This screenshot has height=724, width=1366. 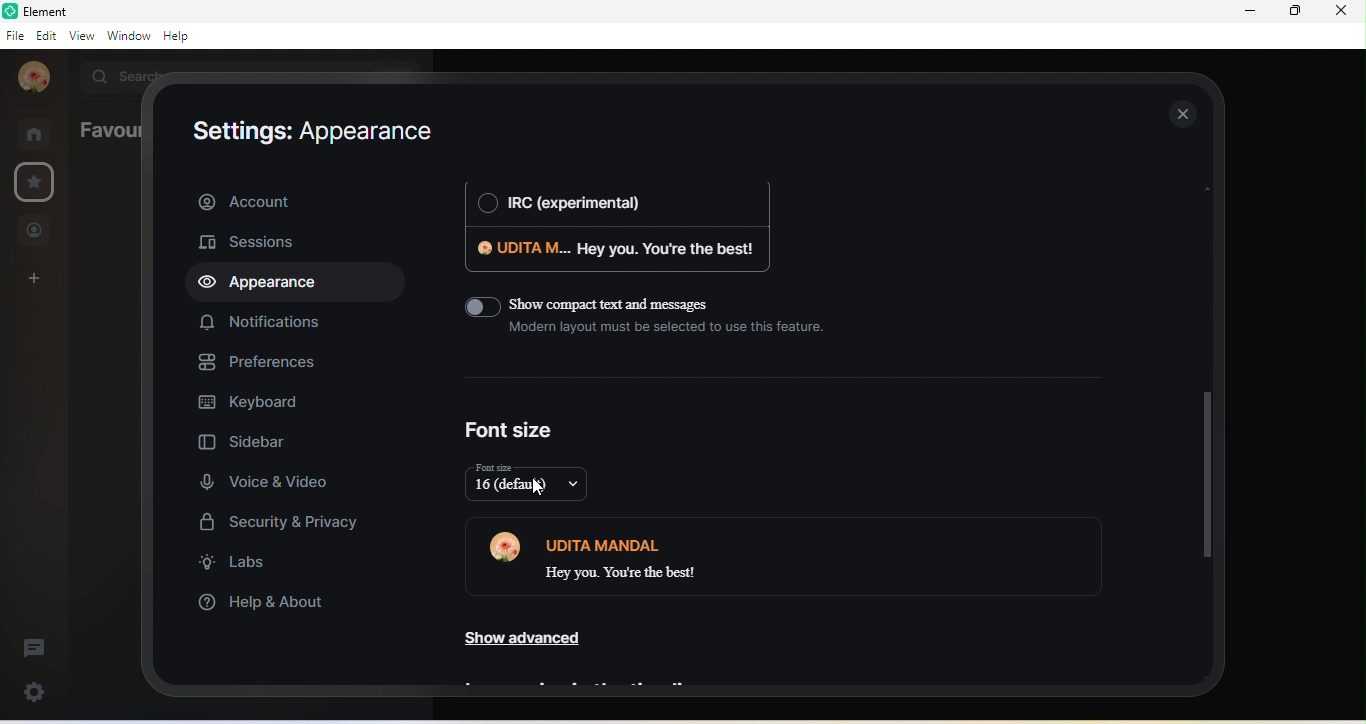 What do you see at coordinates (268, 285) in the screenshot?
I see `appearance` at bounding box center [268, 285].